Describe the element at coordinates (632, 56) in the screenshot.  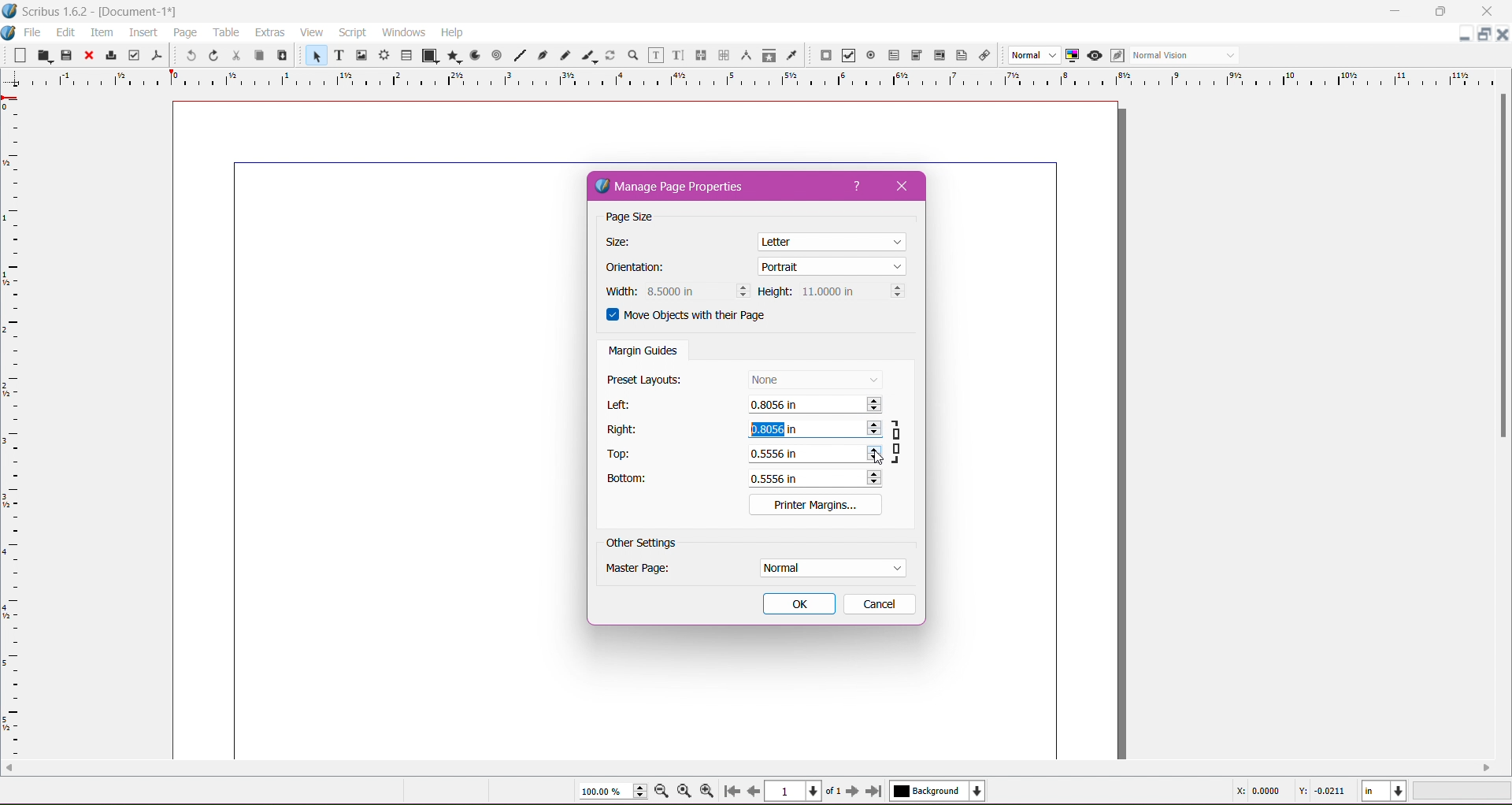
I see `Zoom In or Out` at that location.